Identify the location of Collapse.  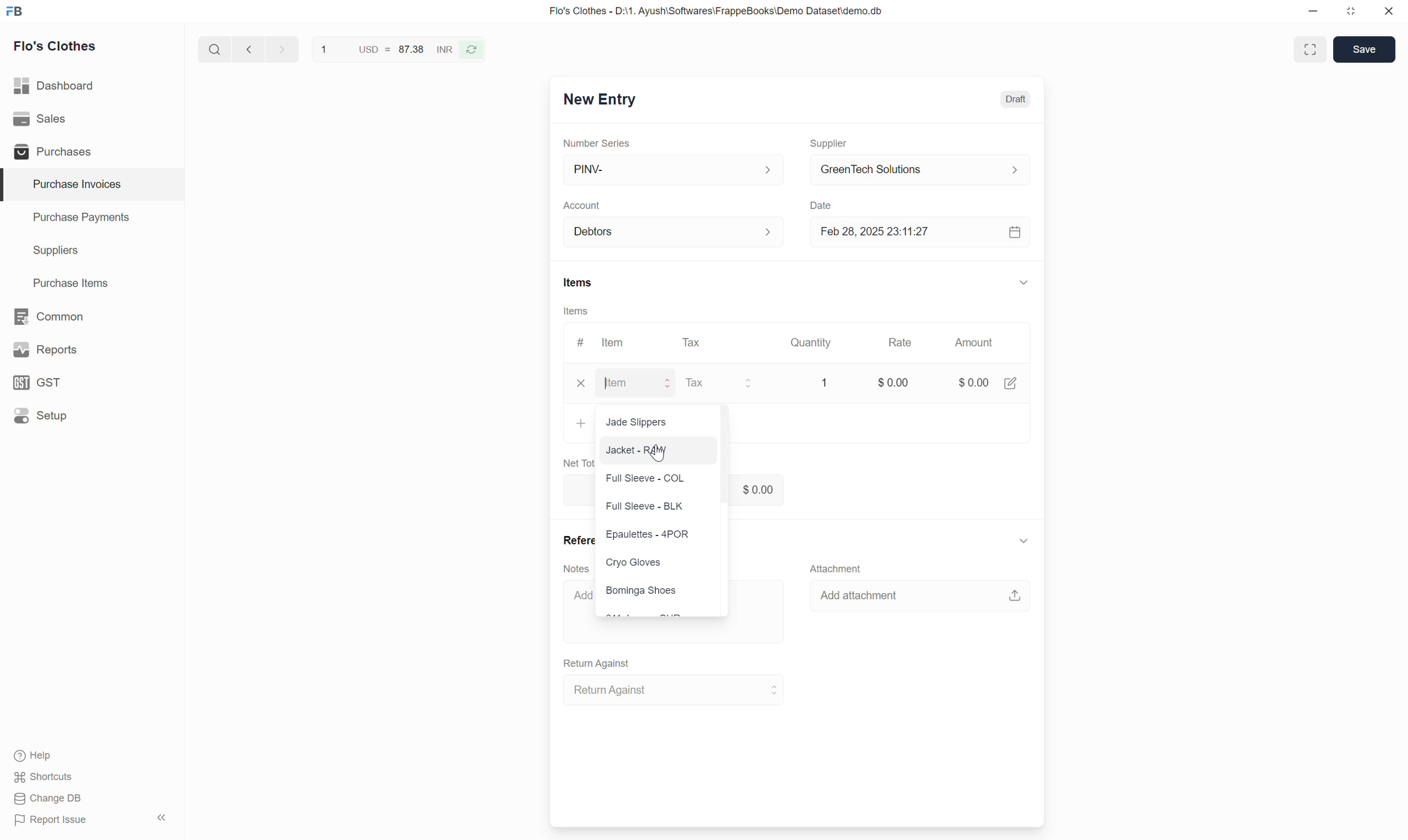
(1025, 541).